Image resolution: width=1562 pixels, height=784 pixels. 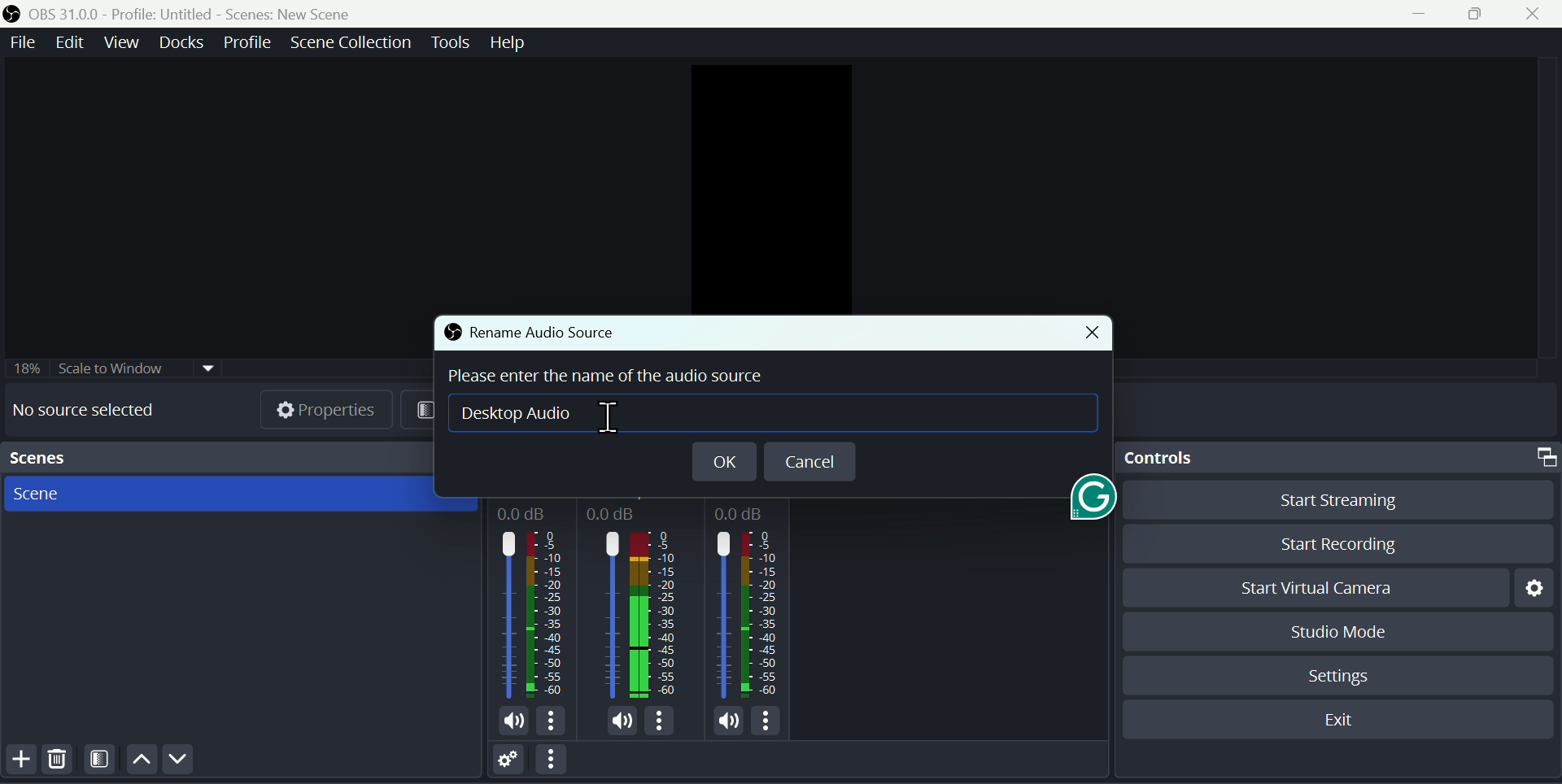 What do you see at coordinates (537, 415) in the screenshot?
I see `Desktop audio` at bounding box center [537, 415].